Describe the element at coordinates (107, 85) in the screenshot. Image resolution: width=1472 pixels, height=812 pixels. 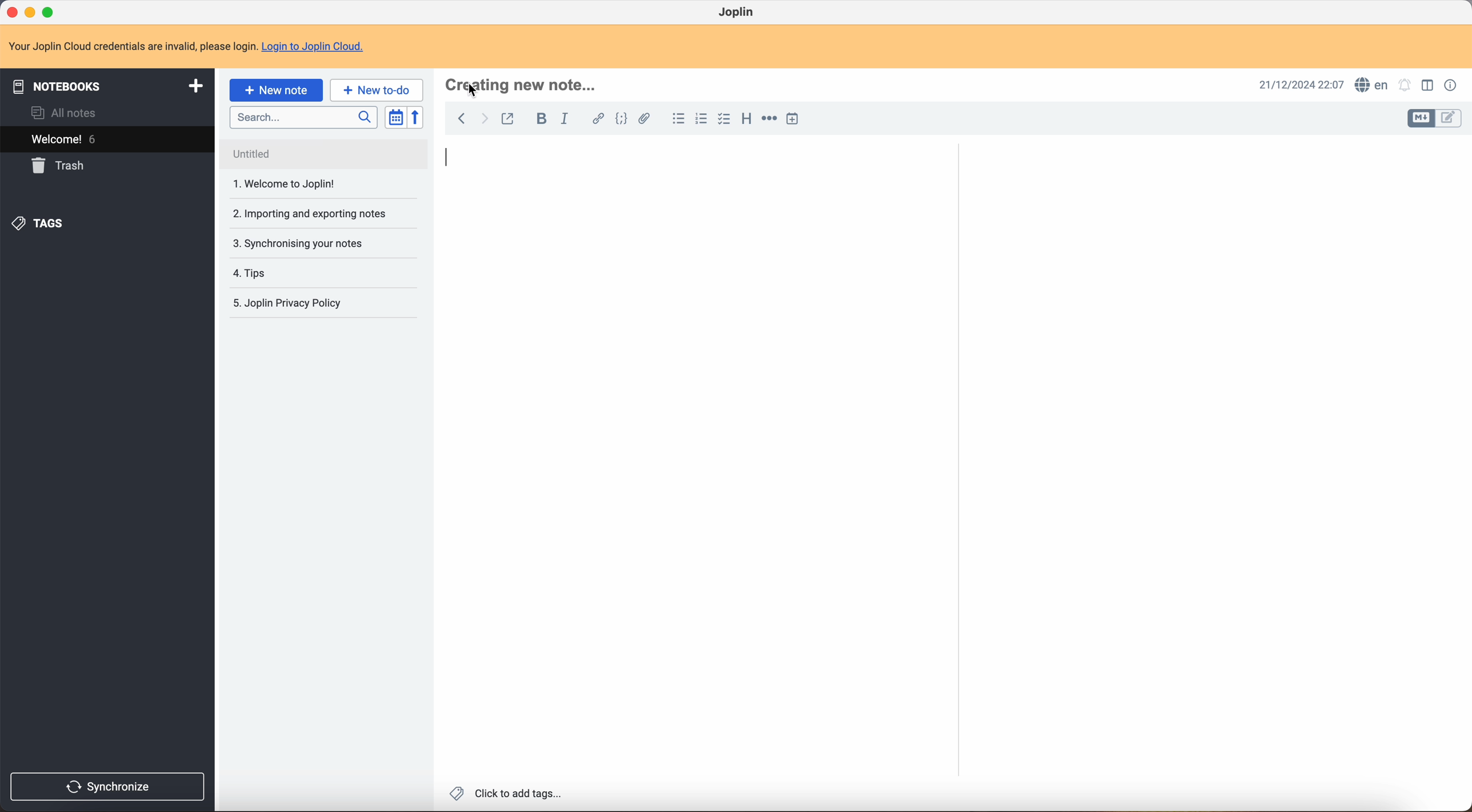
I see `notebooks` at that location.